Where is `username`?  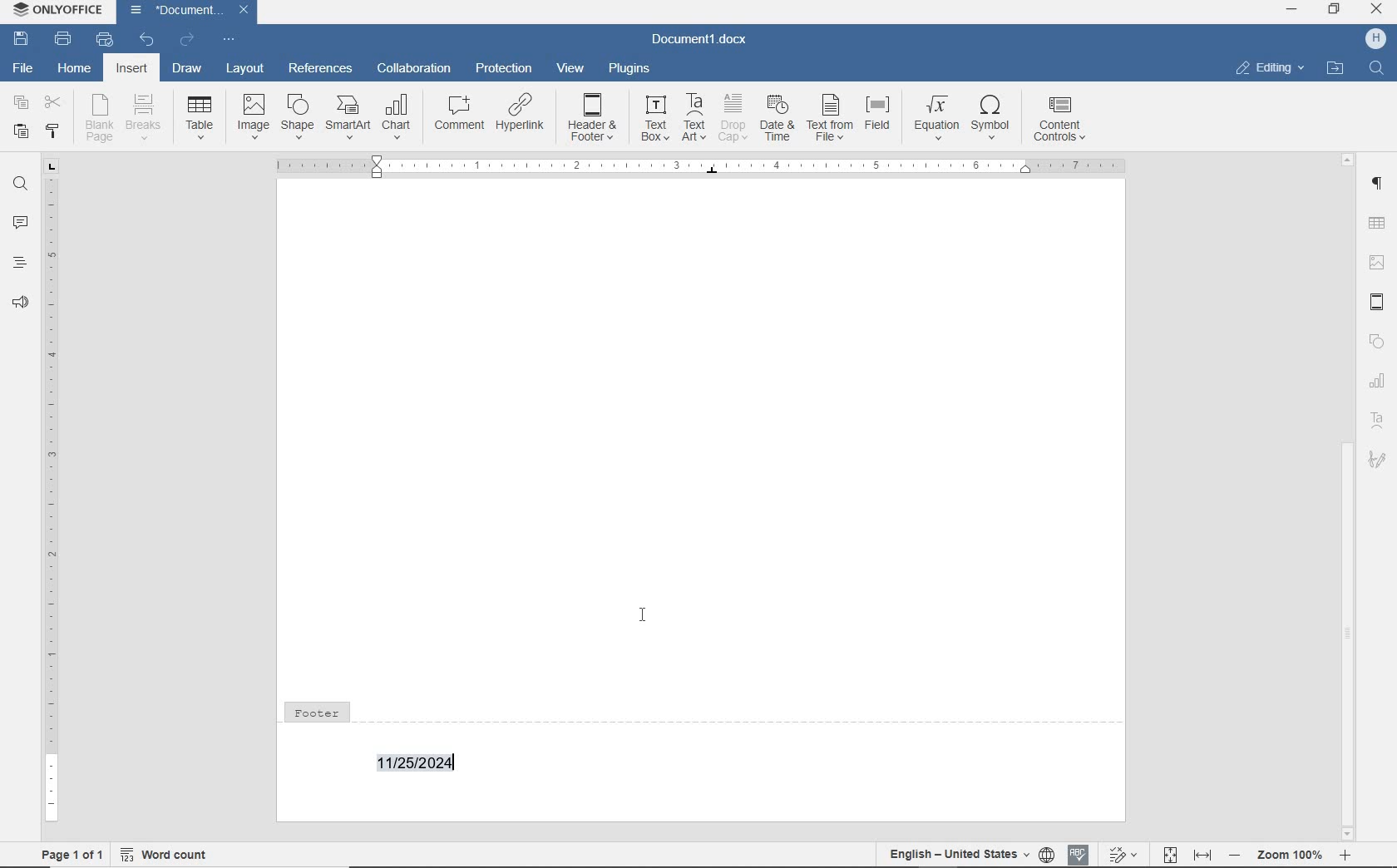 username is located at coordinates (1376, 39).